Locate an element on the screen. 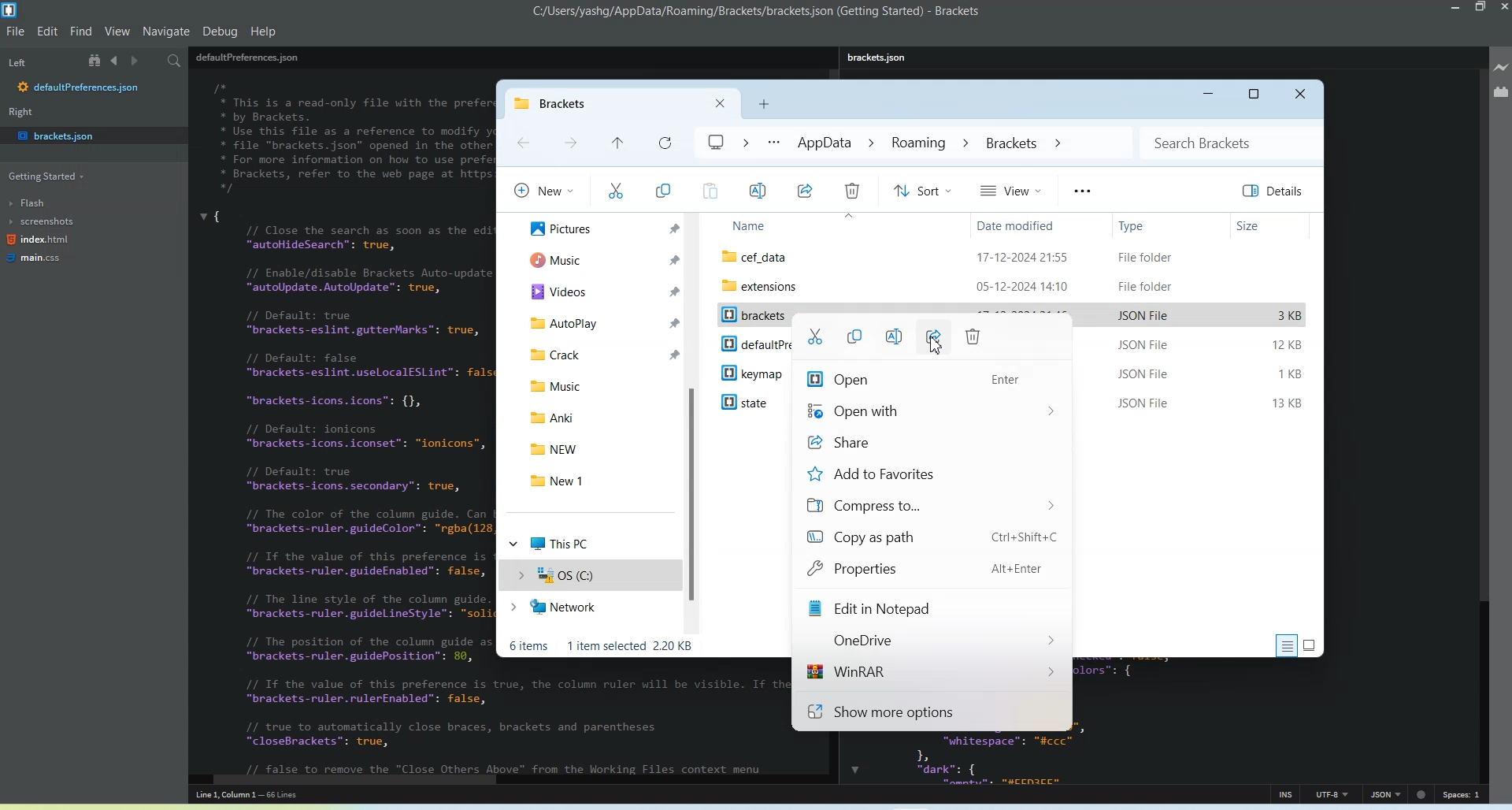 This screenshot has width=1512, height=810. Close is located at coordinates (1503, 9).